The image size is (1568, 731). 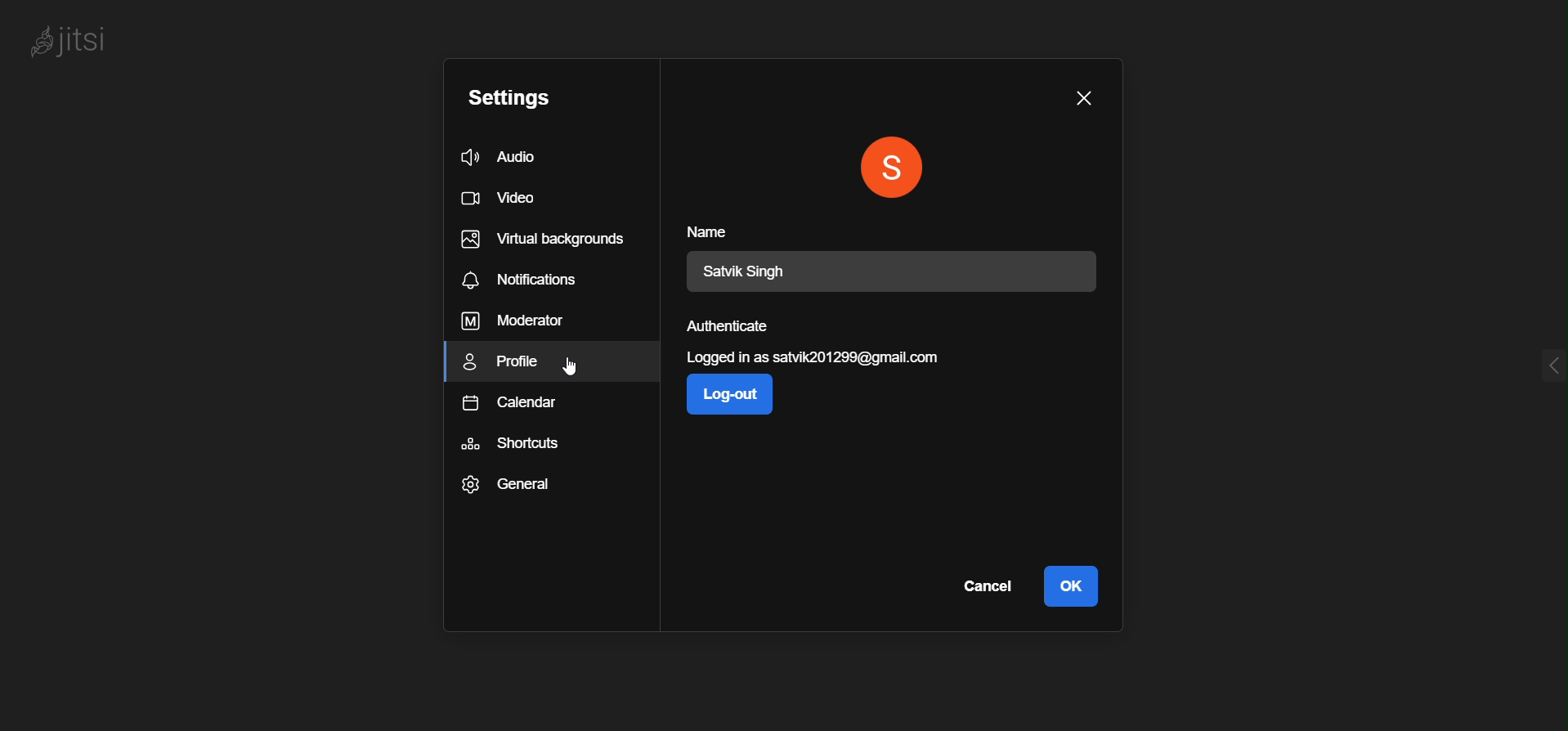 I want to click on general, so click(x=508, y=487).